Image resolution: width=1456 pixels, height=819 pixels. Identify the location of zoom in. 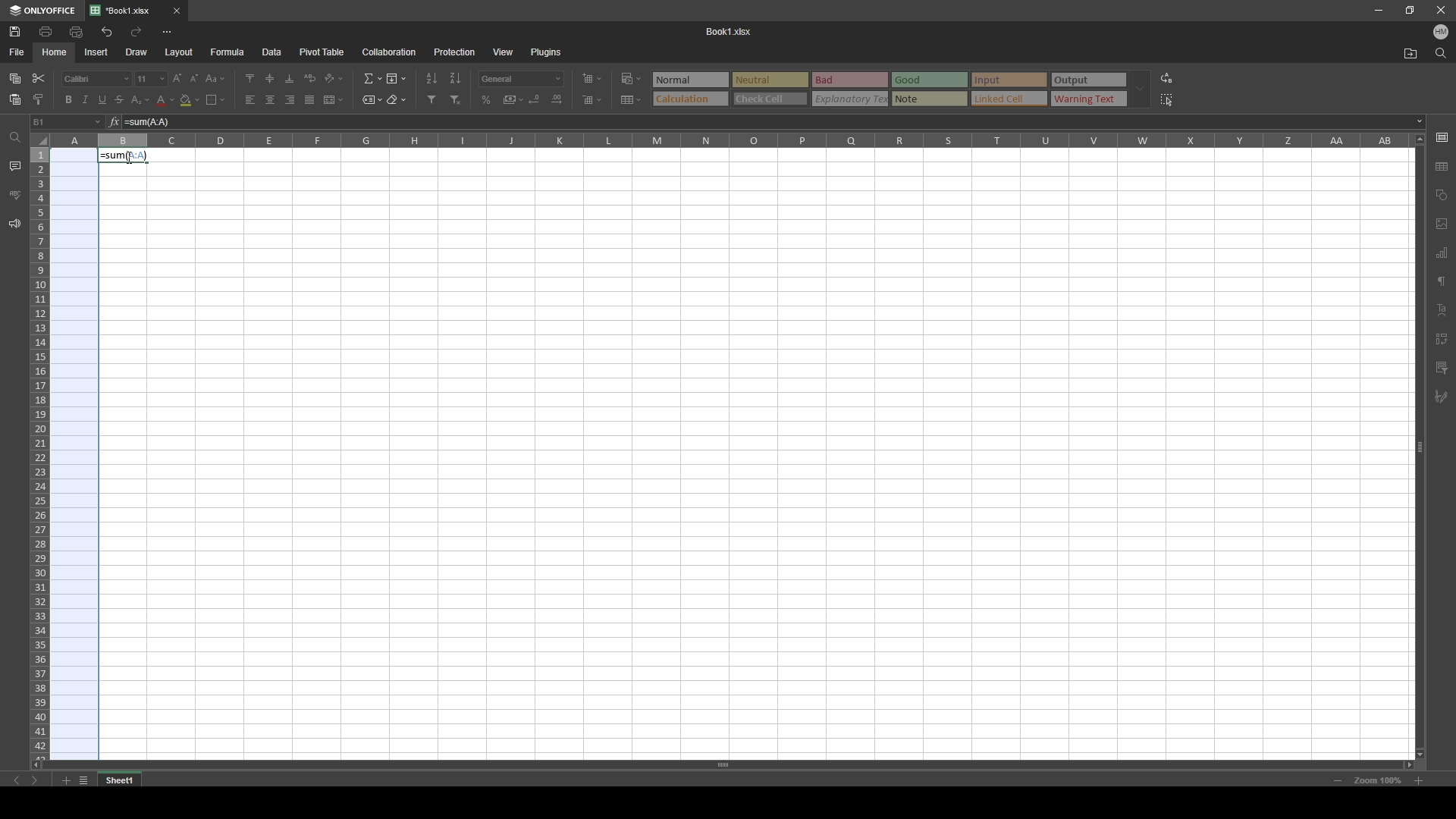
(1418, 780).